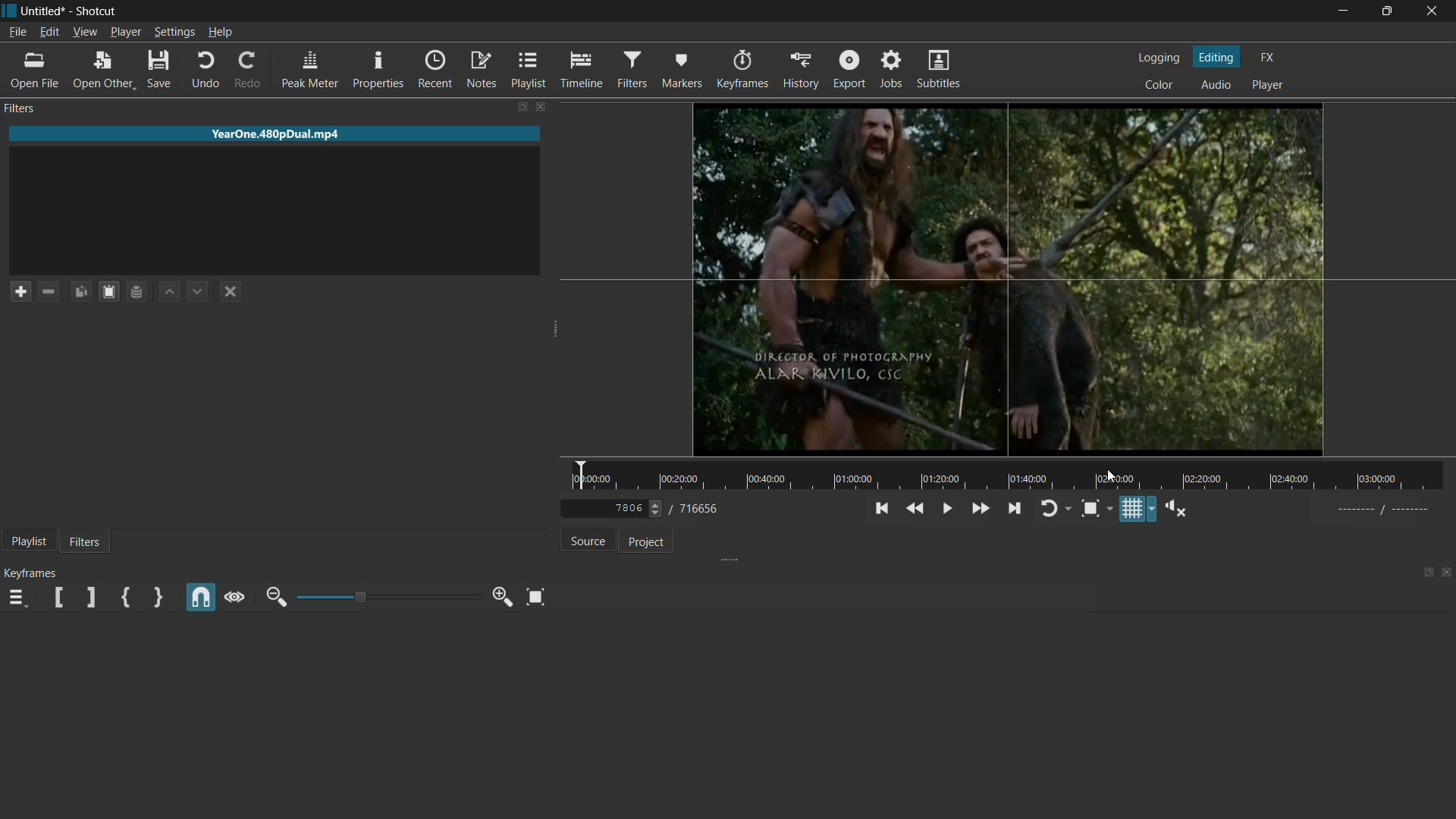 The width and height of the screenshot is (1456, 819). Describe the element at coordinates (174, 33) in the screenshot. I see `settings menu` at that location.